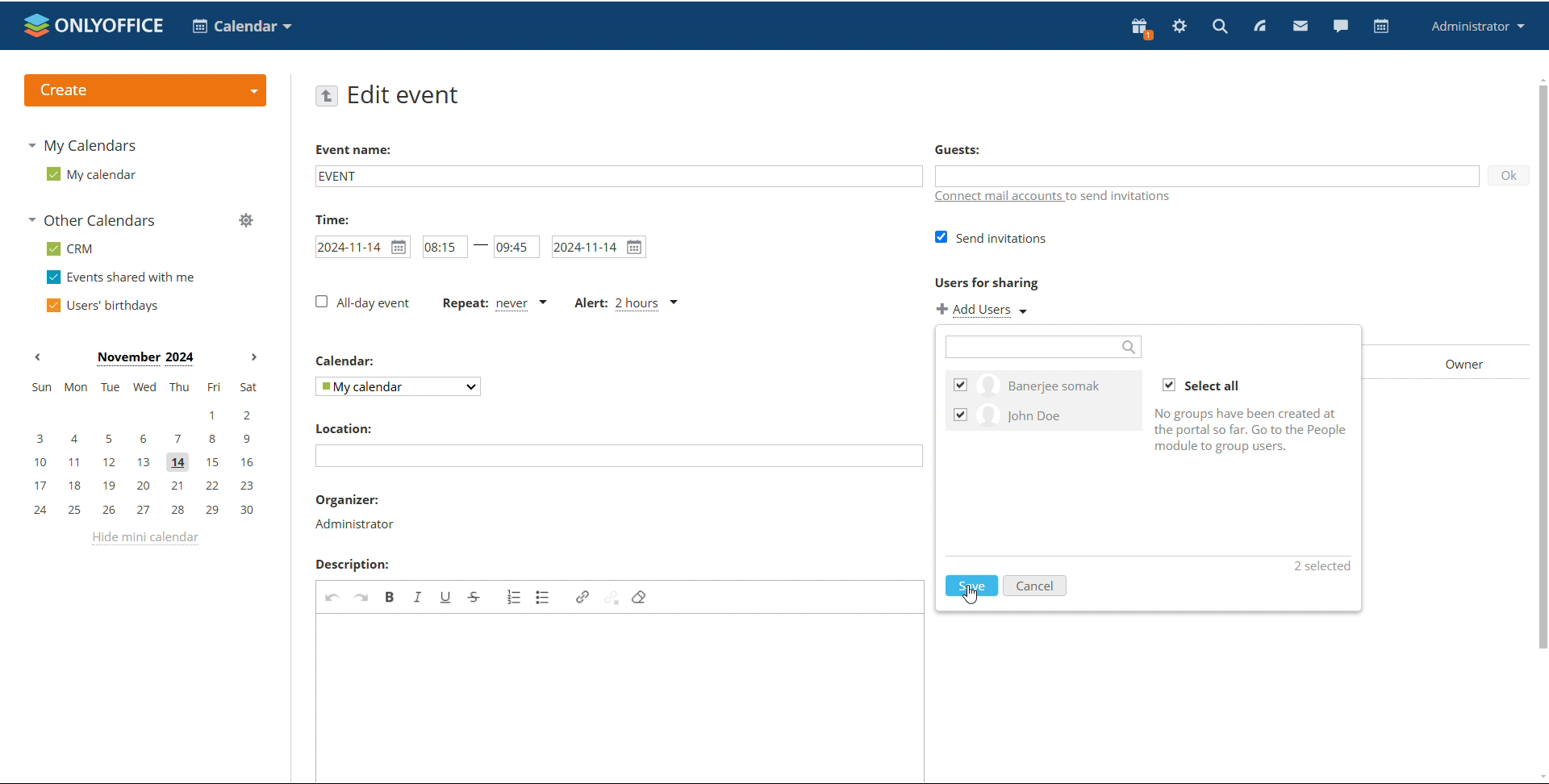 The image size is (1549, 784). I want to click on next month, so click(254, 358).